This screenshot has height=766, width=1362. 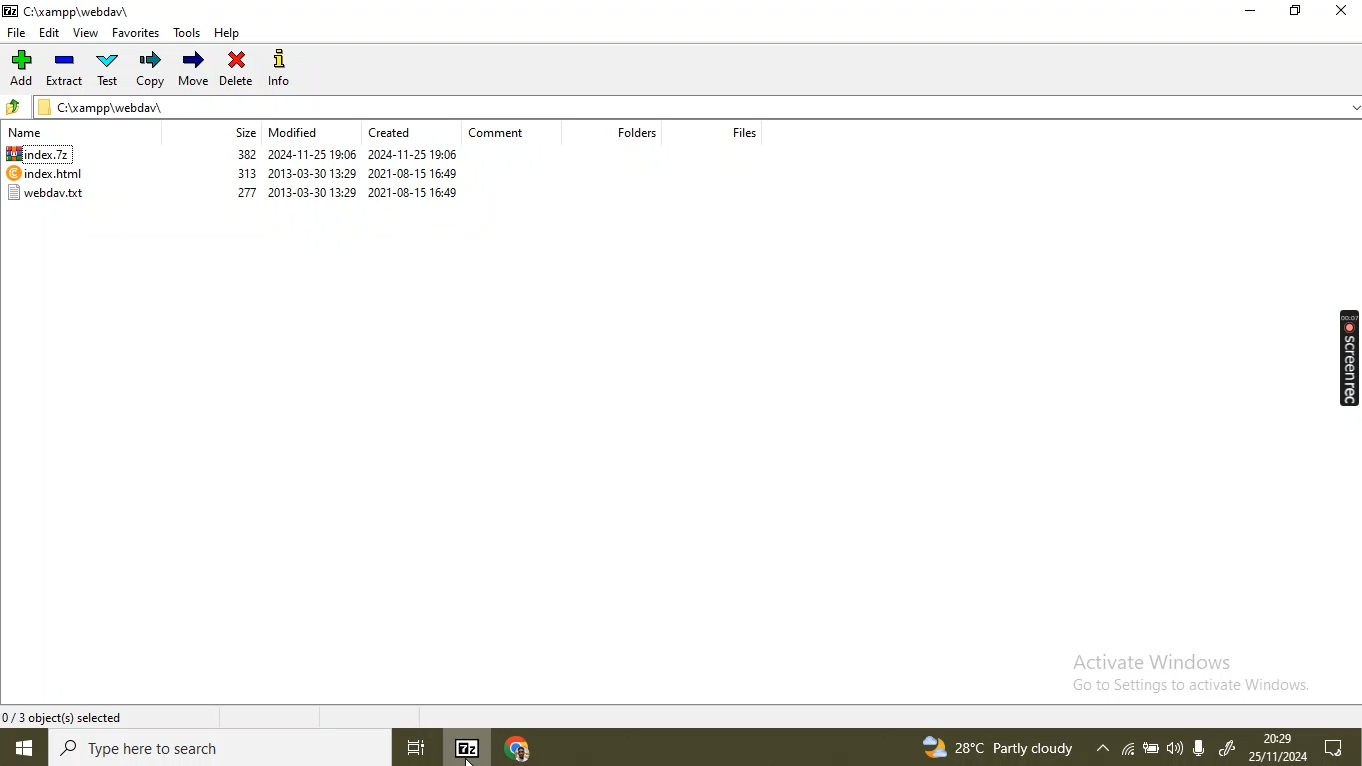 I want to click on 2013-03-30 13:29, so click(x=313, y=192).